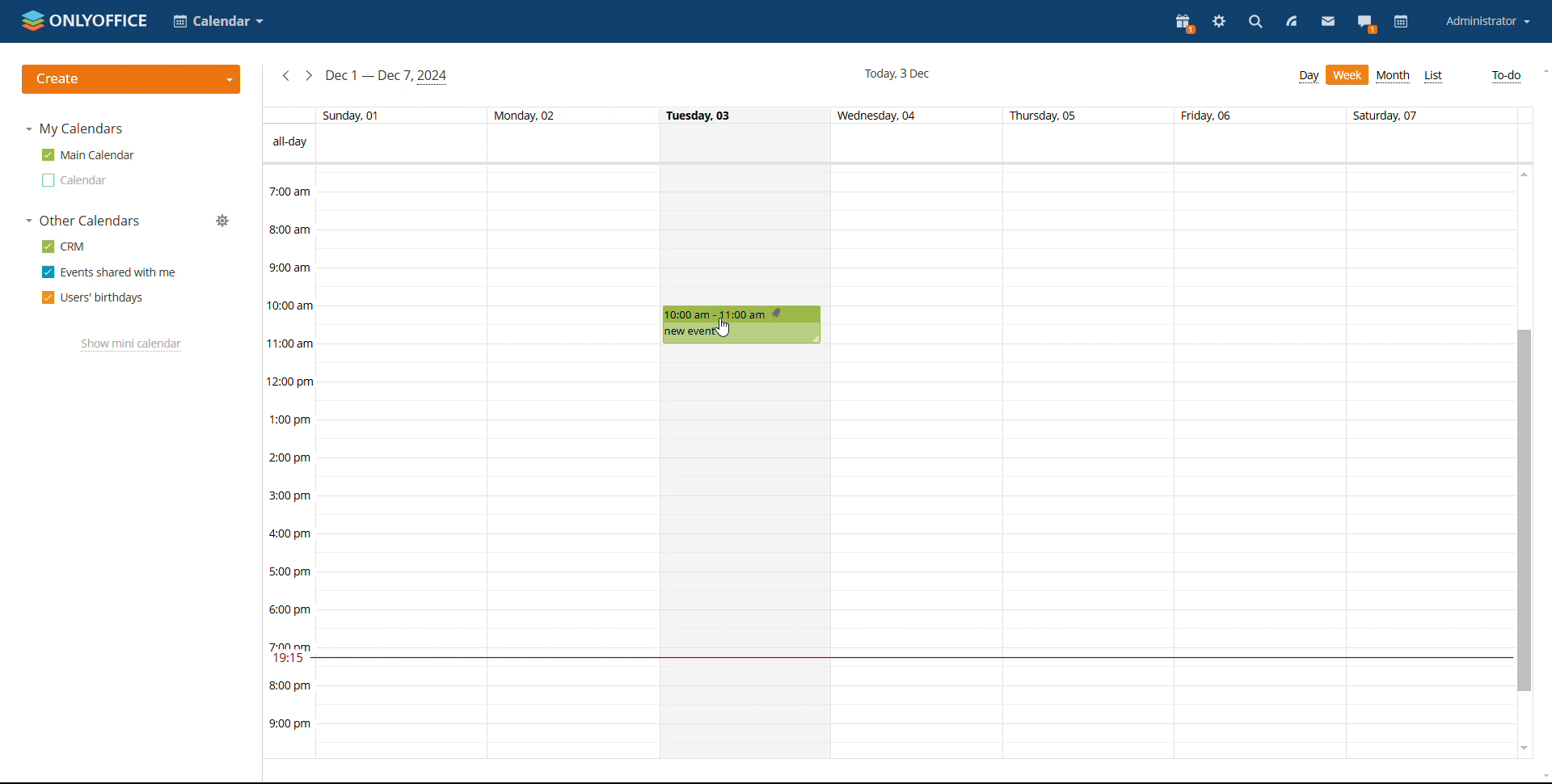  What do you see at coordinates (291, 459) in the screenshot?
I see `2:00pm` at bounding box center [291, 459].